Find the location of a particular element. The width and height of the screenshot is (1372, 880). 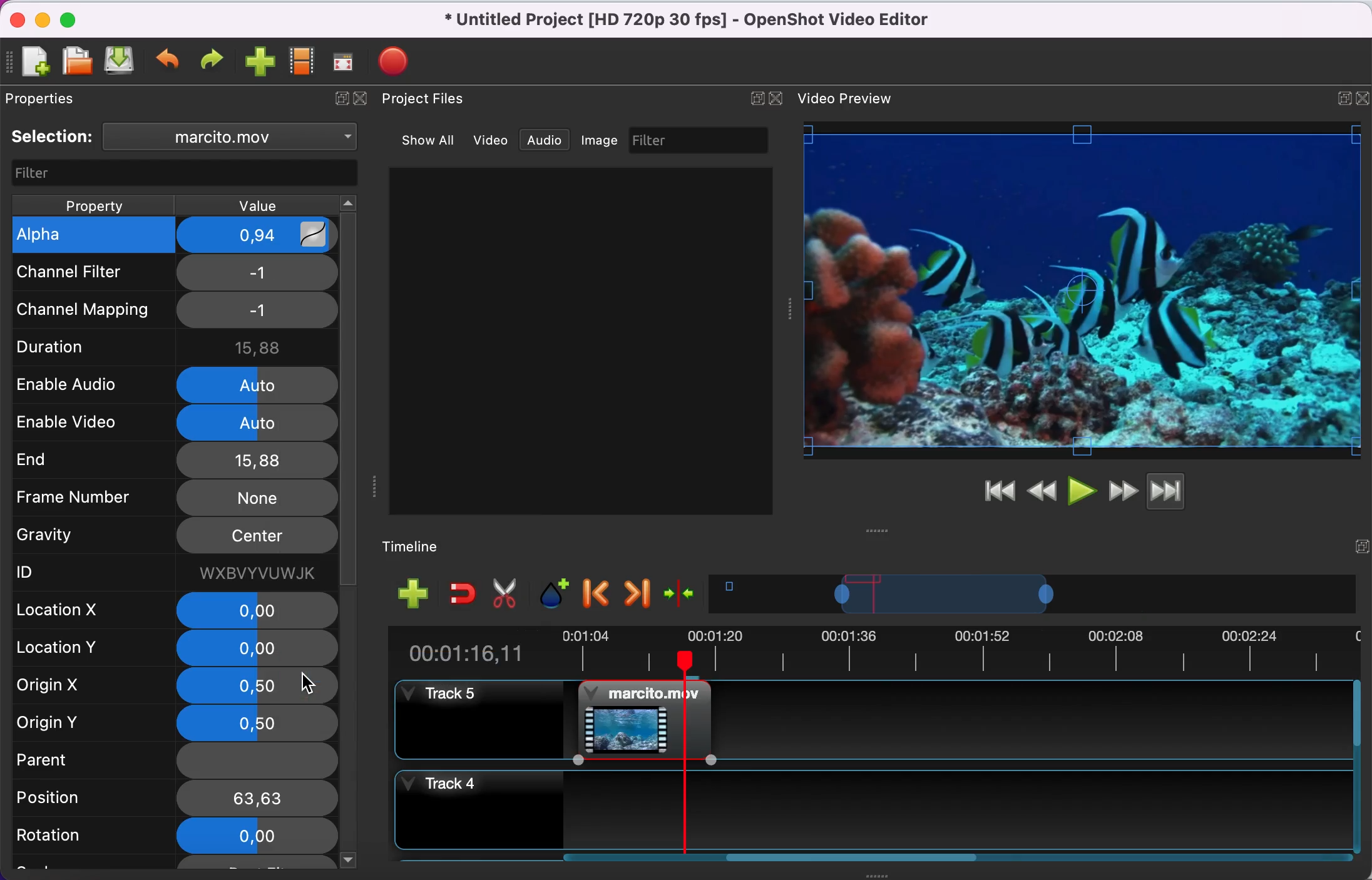

scroll bar is located at coordinates (863, 862).